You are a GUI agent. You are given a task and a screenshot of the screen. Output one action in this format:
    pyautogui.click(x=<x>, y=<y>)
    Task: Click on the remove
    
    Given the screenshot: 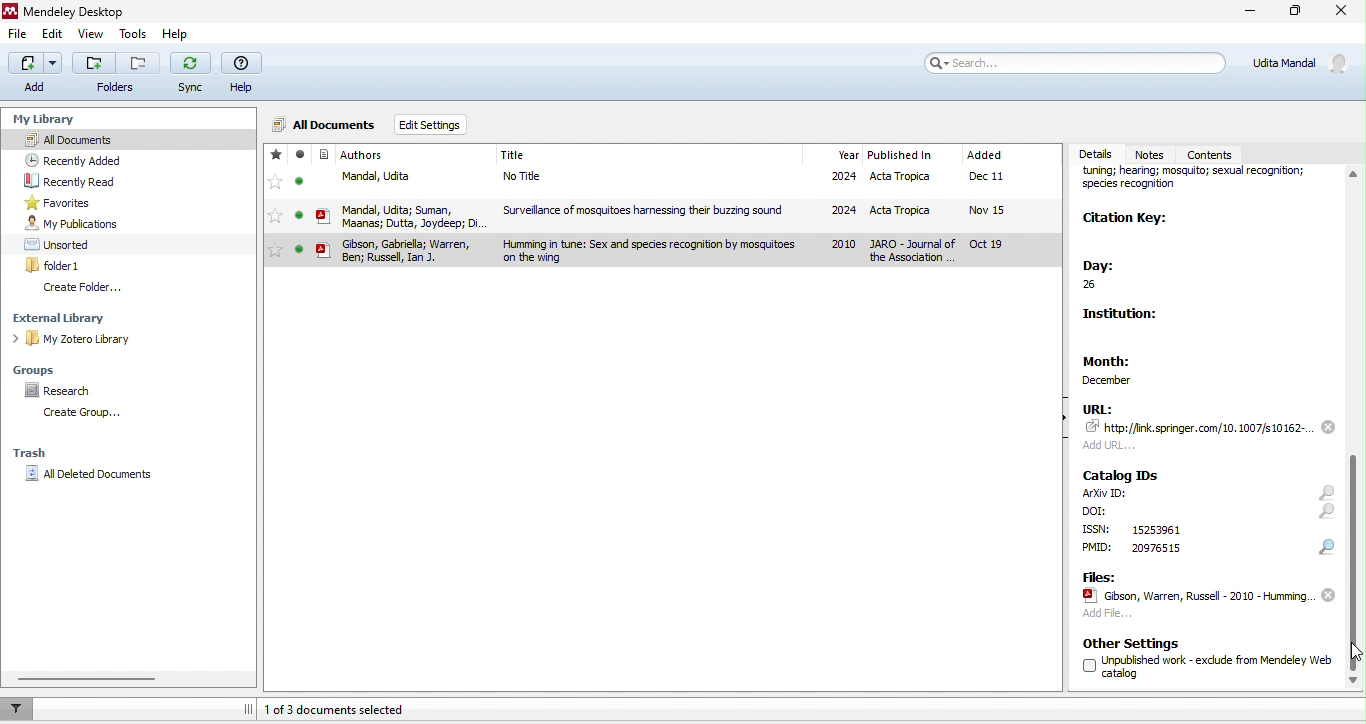 What is the action you would take?
    pyautogui.click(x=1328, y=596)
    